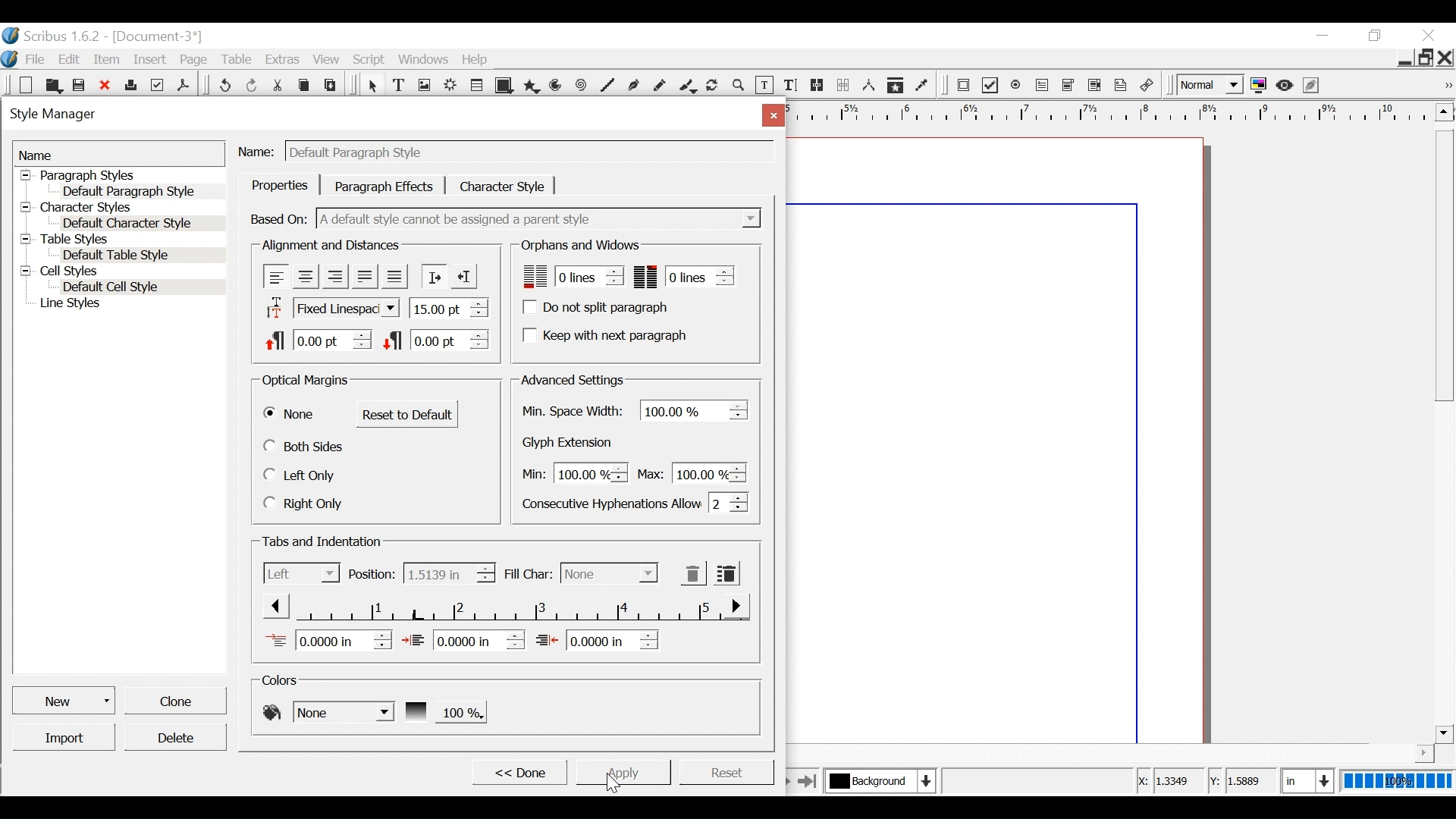 This screenshot has width=1456, height=819. Describe the element at coordinates (635, 502) in the screenshot. I see `Consecutive Hyphenations allow` at that location.